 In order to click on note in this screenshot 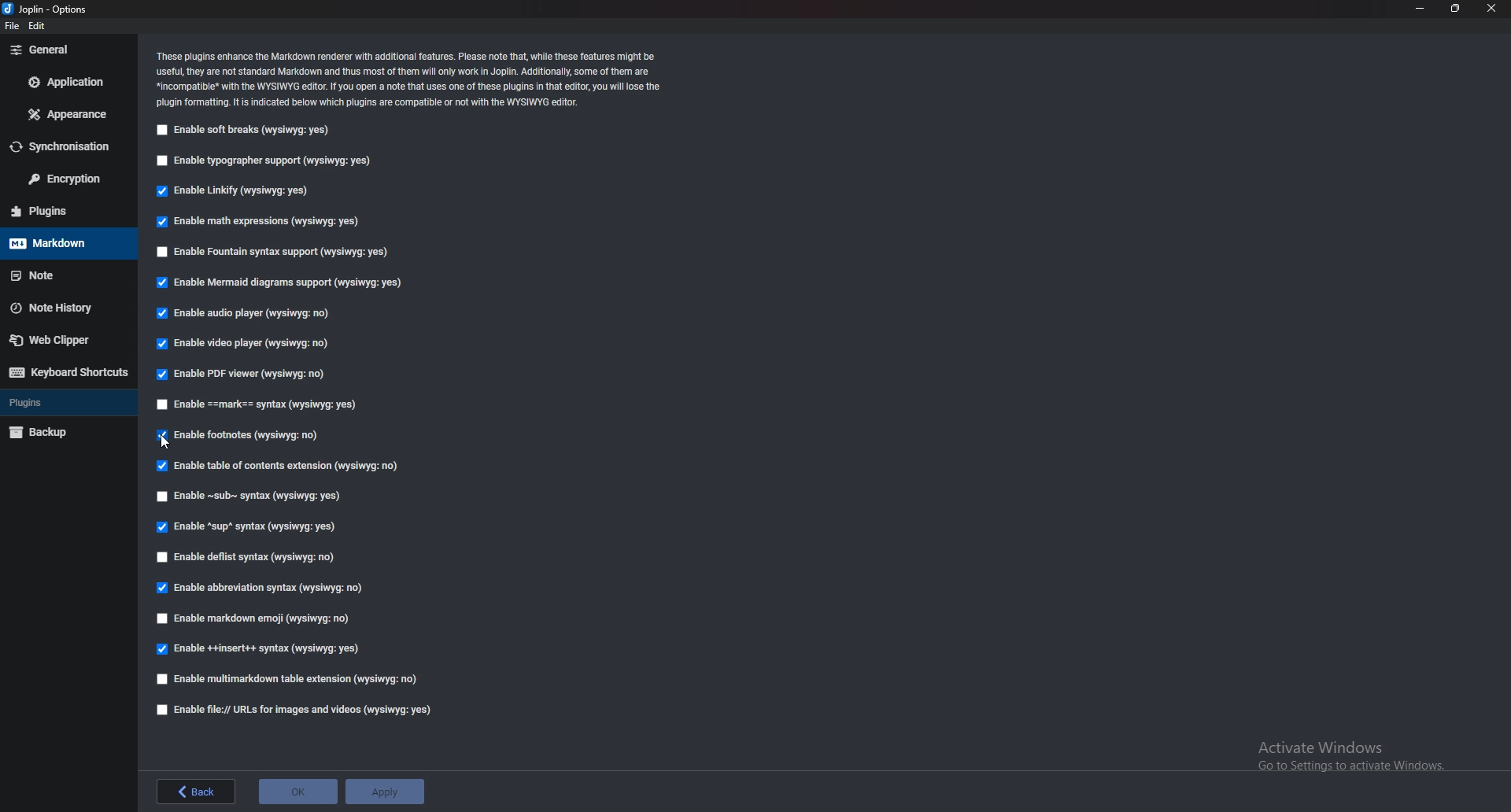, I will do `click(68, 273)`.